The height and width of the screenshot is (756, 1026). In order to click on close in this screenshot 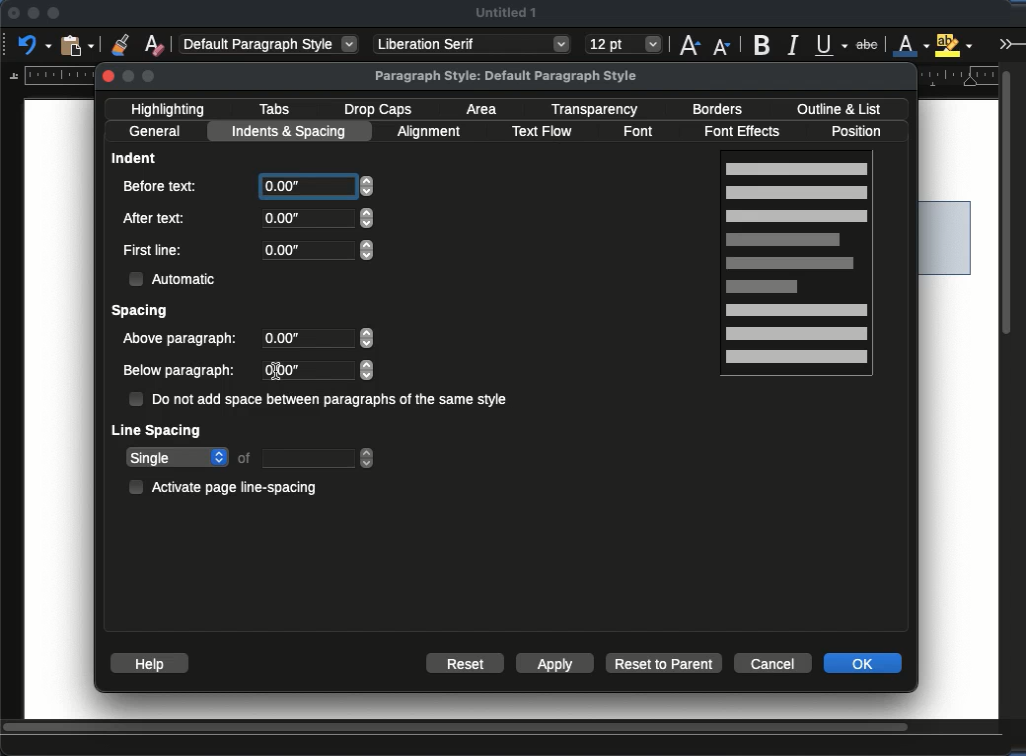, I will do `click(110, 76)`.